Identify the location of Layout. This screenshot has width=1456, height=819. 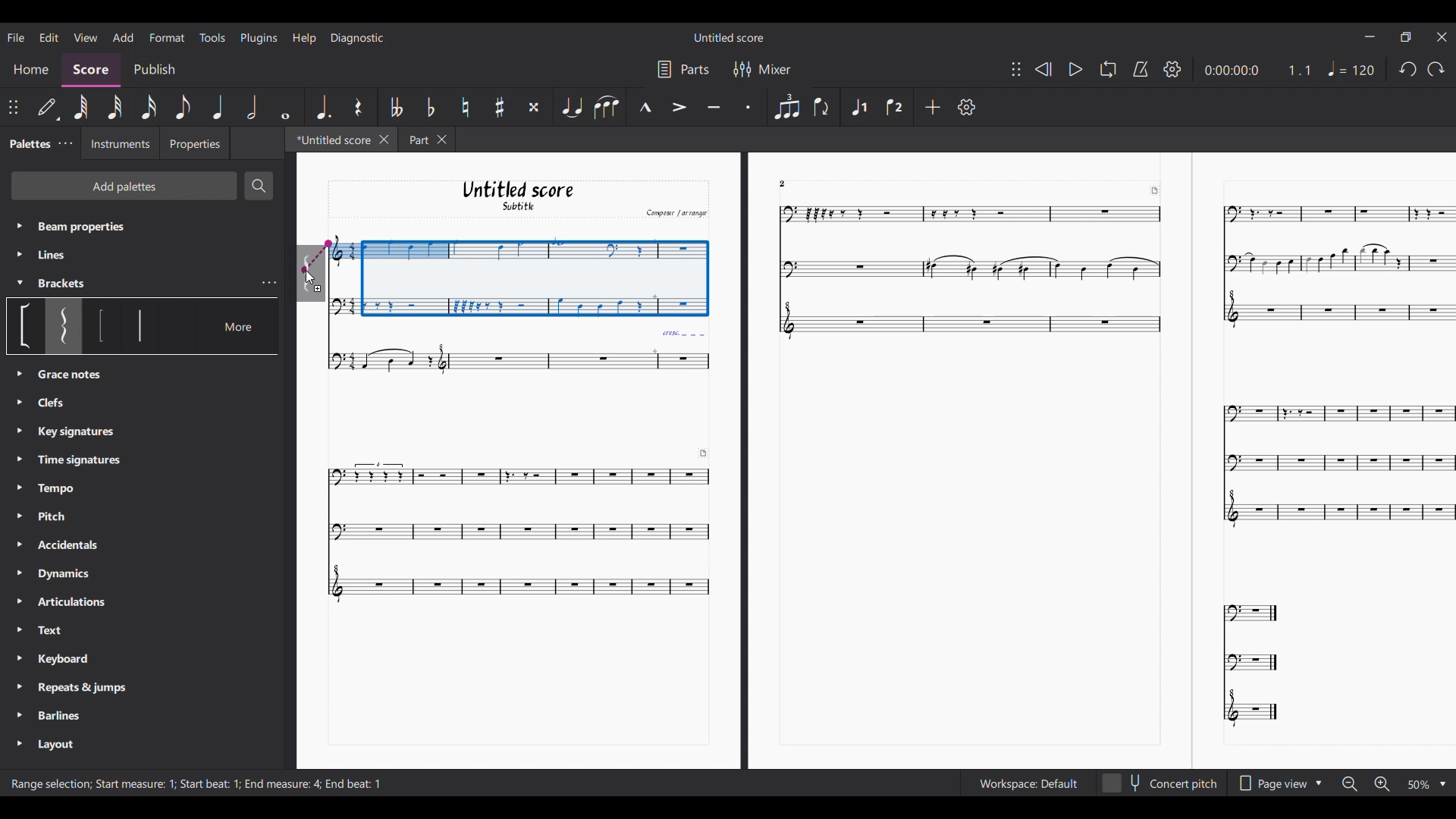
(54, 745).